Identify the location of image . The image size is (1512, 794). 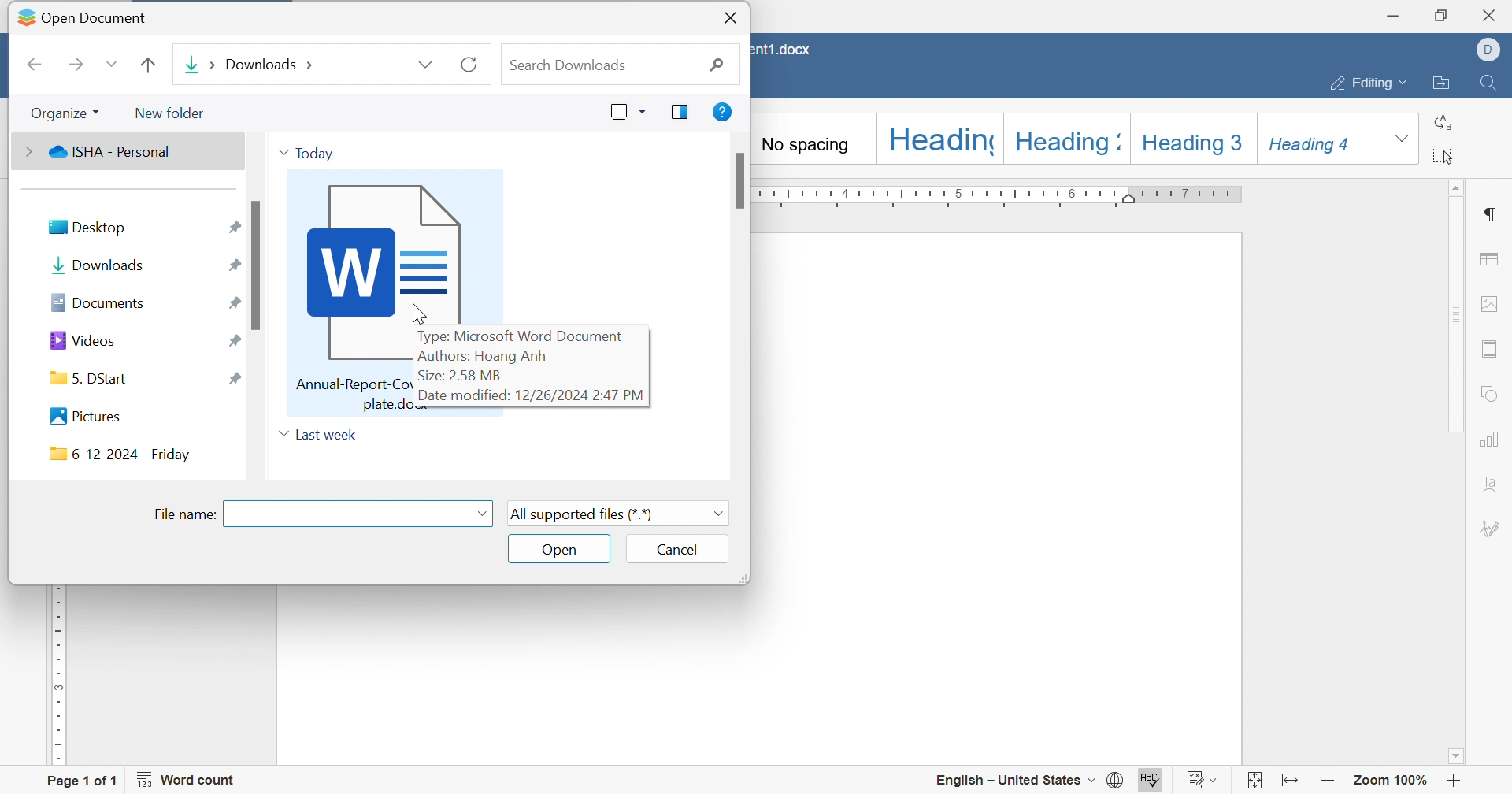
(344, 369).